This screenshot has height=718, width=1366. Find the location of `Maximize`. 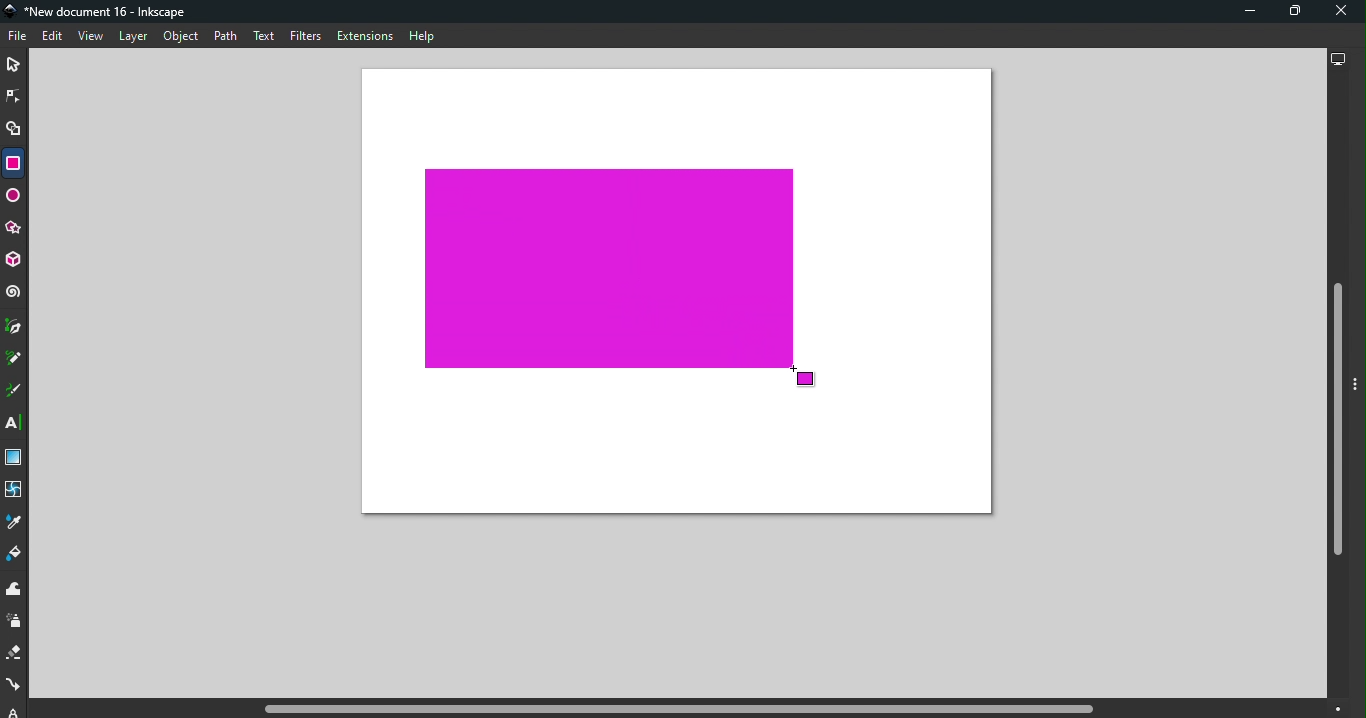

Maximize is located at coordinates (1288, 14).